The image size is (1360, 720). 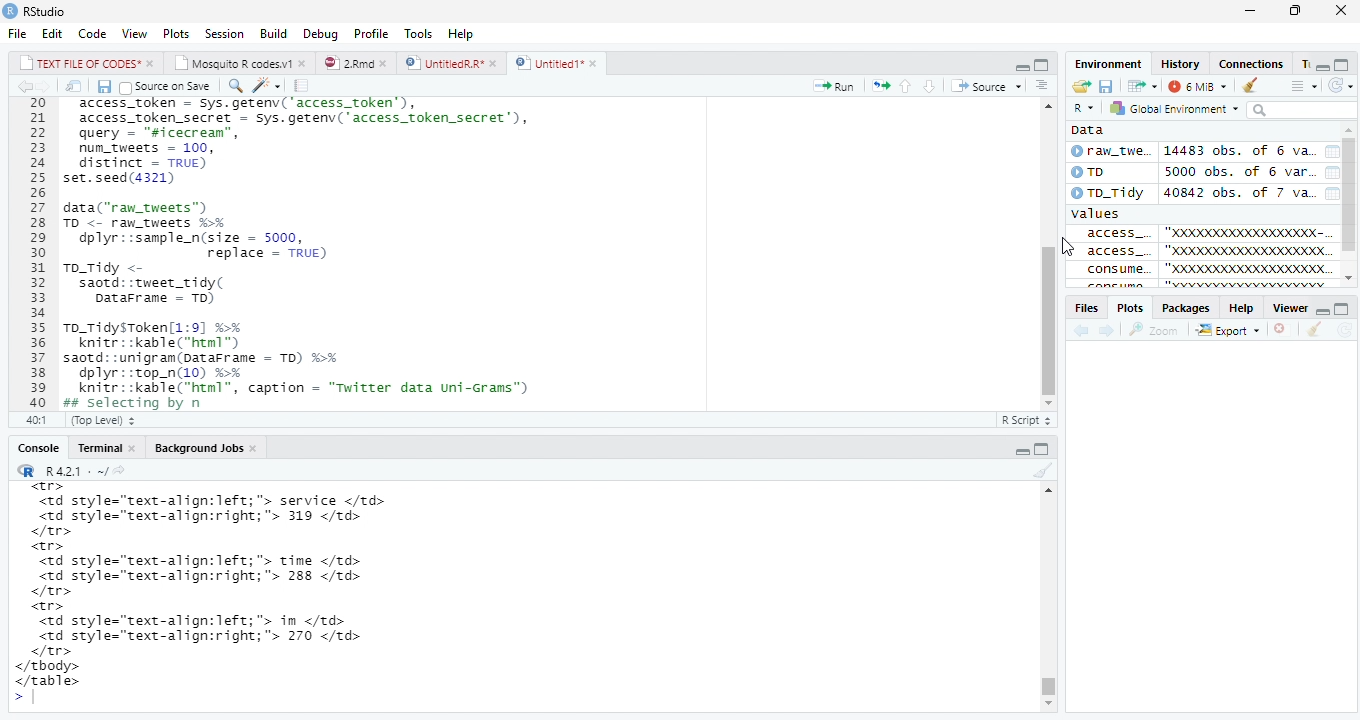 I want to click on clear console, so click(x=1316, y=330).